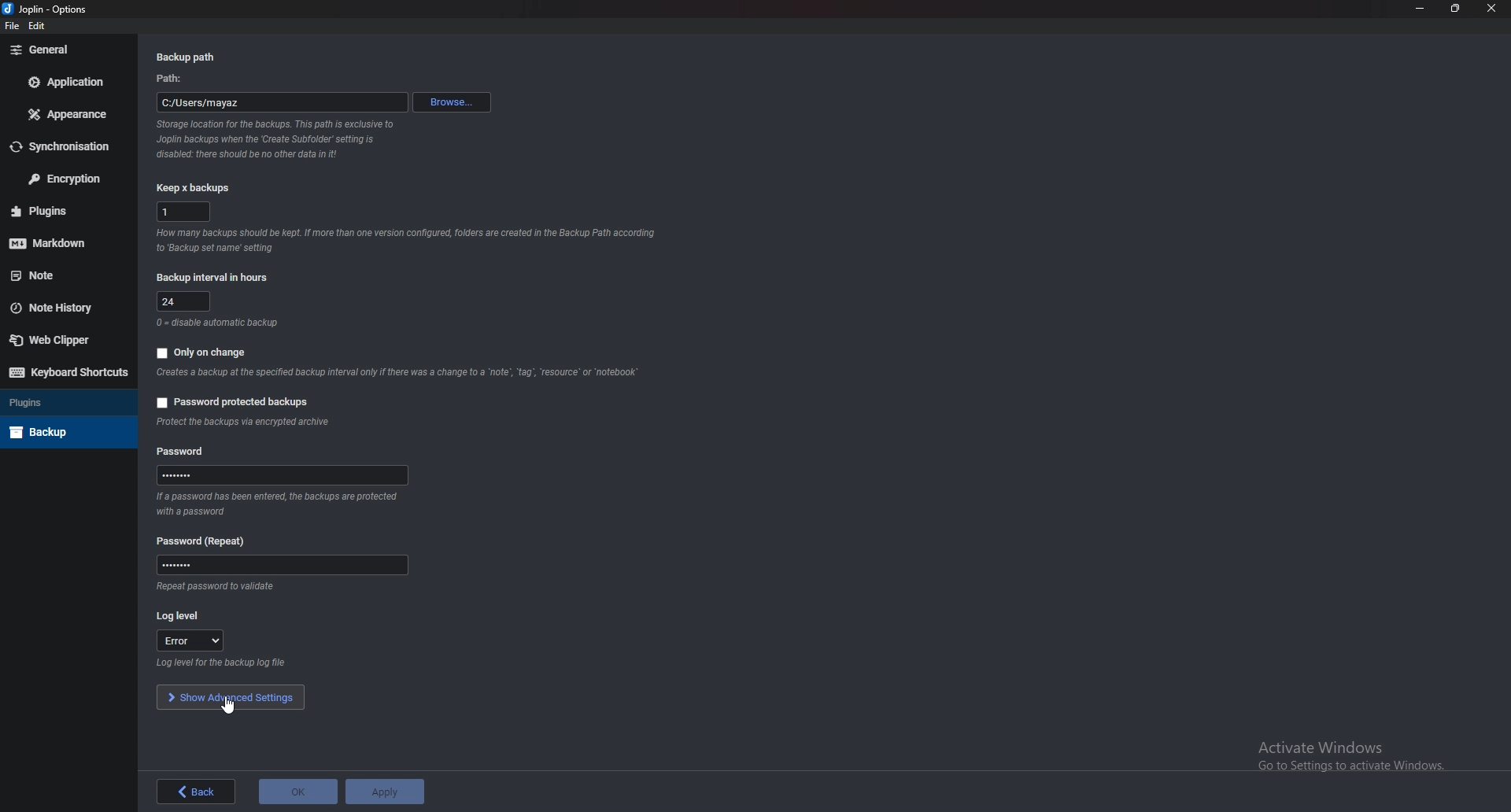 Image resolution: width=1511 pixels, height=812 pixels. What do you see at coordinates (224, 709) in the screenshot?
I see `cursor` at bounding box center [224, 709].